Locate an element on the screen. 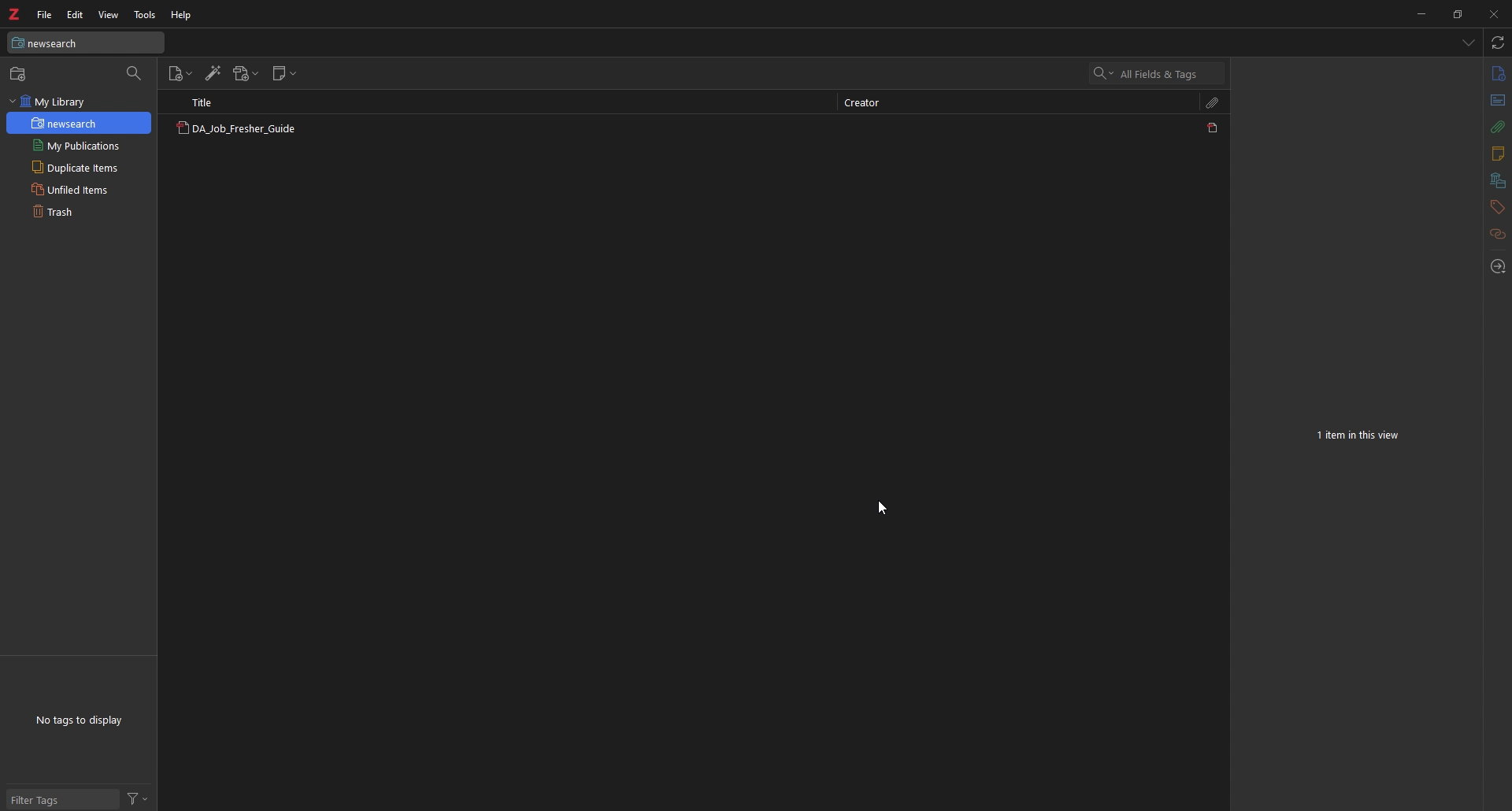 The height and width of the screenshot is (811, 1512). title is located at coordinates (210, 102).